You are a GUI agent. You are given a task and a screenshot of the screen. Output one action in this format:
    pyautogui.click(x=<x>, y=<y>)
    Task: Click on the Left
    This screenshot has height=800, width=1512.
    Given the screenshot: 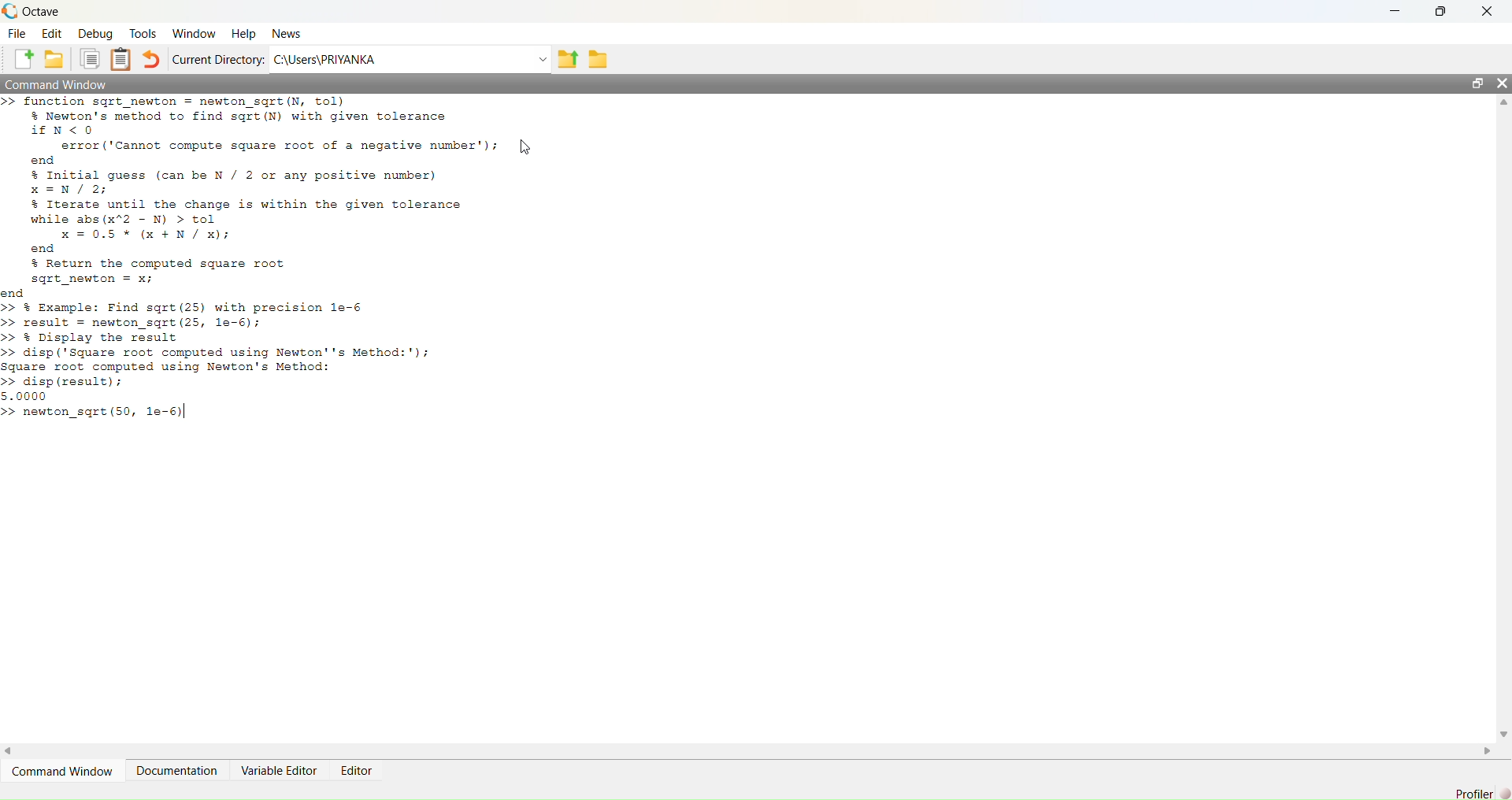 What is the action you would take?
    pyautogui.click(x=13, y=747)
    